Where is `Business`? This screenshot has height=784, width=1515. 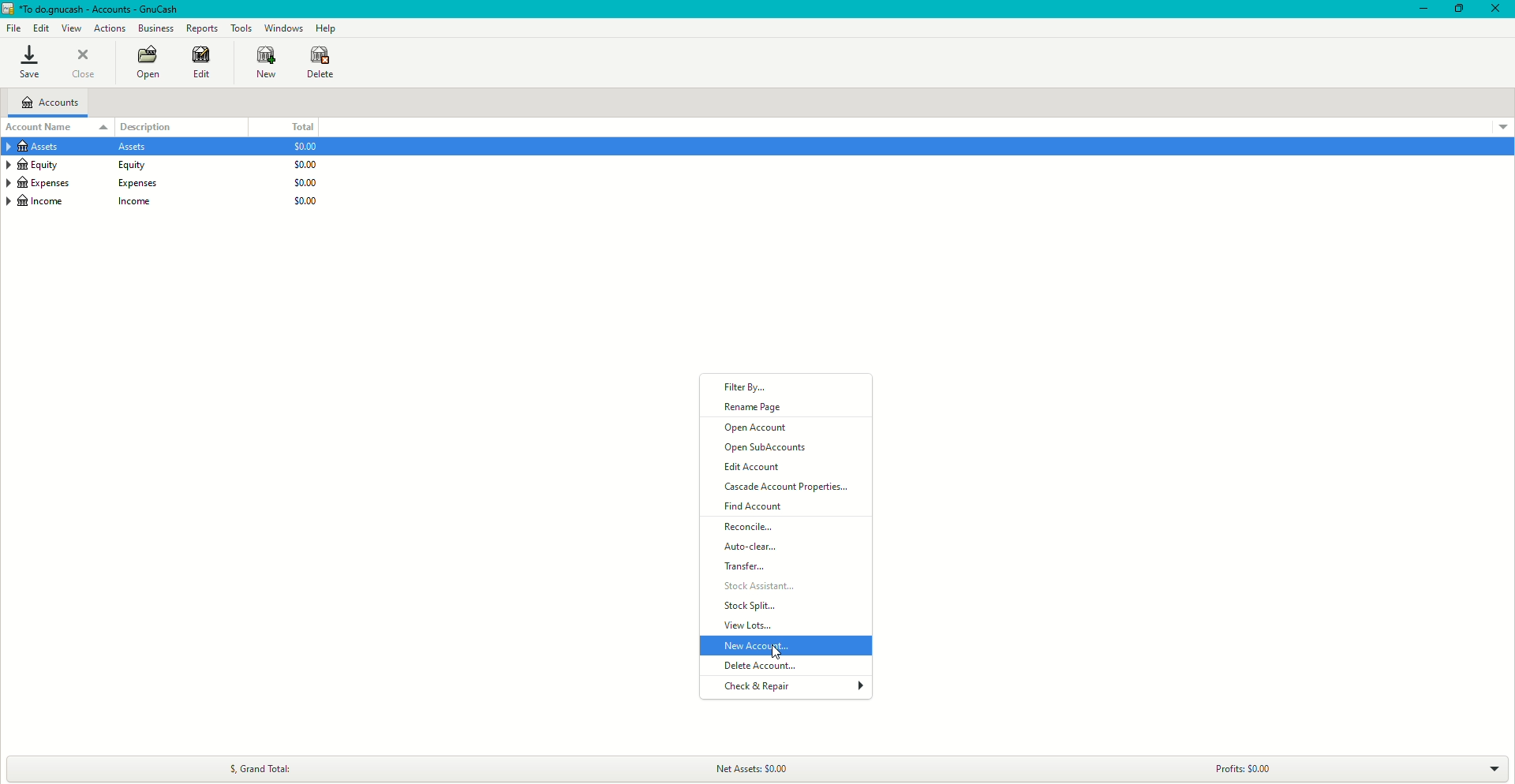 Business is located at coordinates (156, 29).